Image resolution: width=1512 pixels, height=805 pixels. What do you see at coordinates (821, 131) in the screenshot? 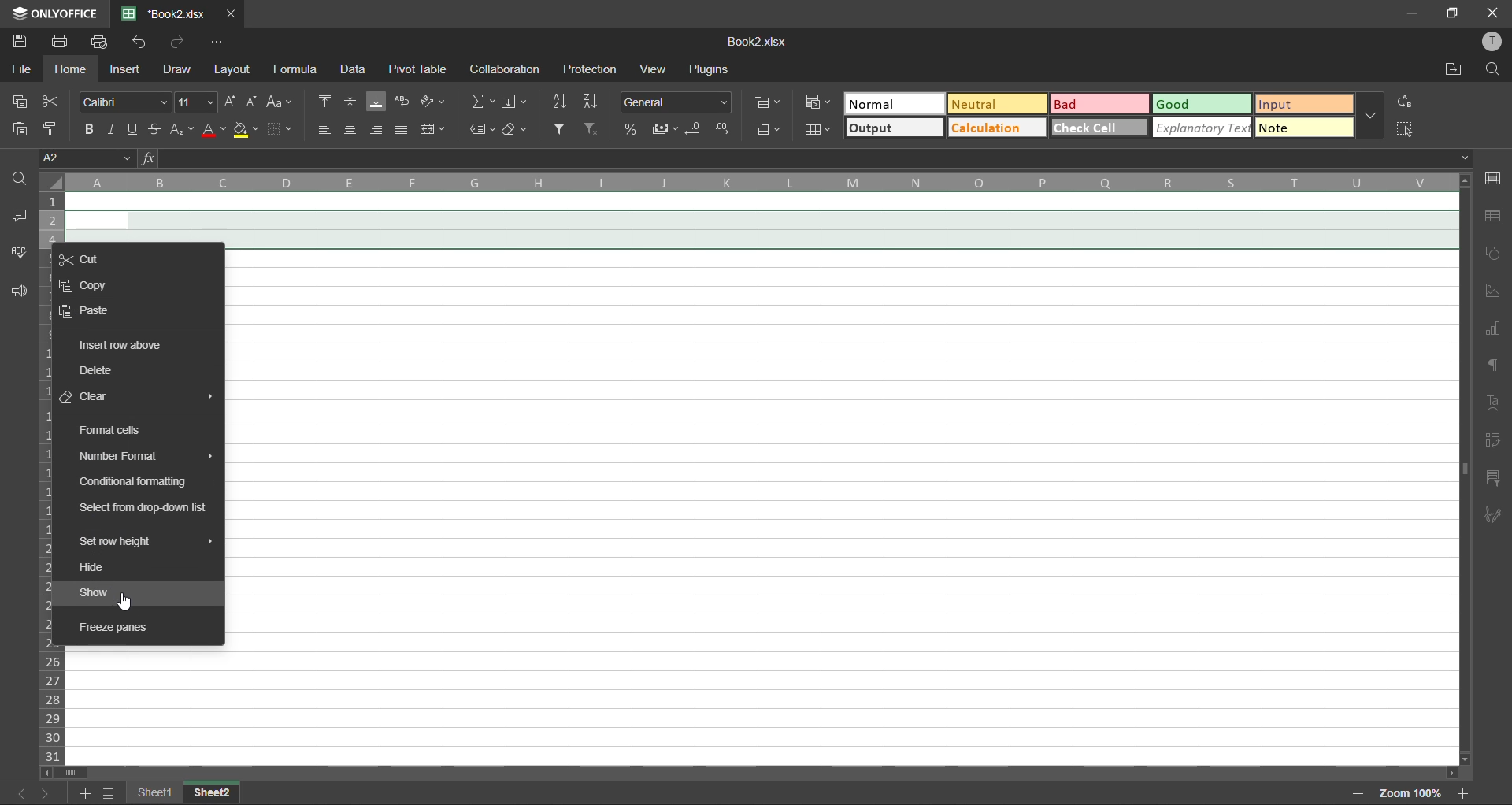
I see `format as table` at bounding box center [821, 131].